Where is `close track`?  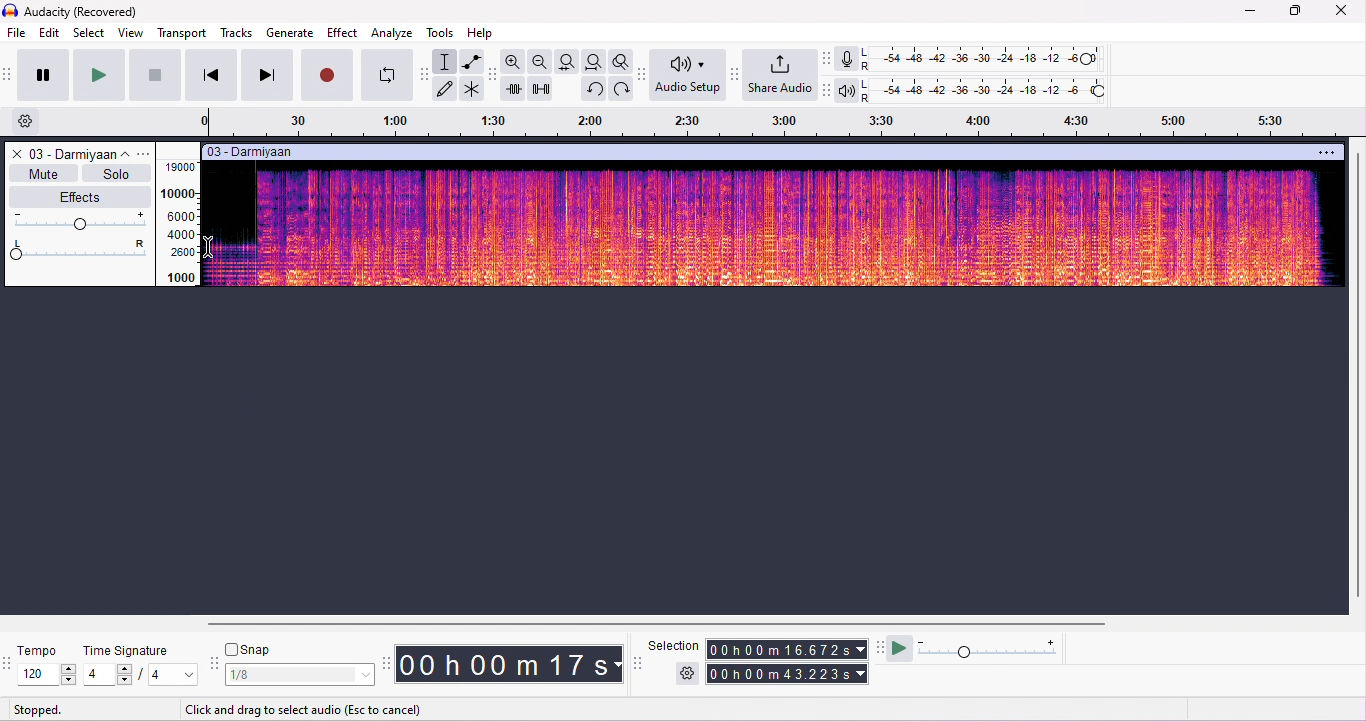
close track is located at coordinates (15, 153).